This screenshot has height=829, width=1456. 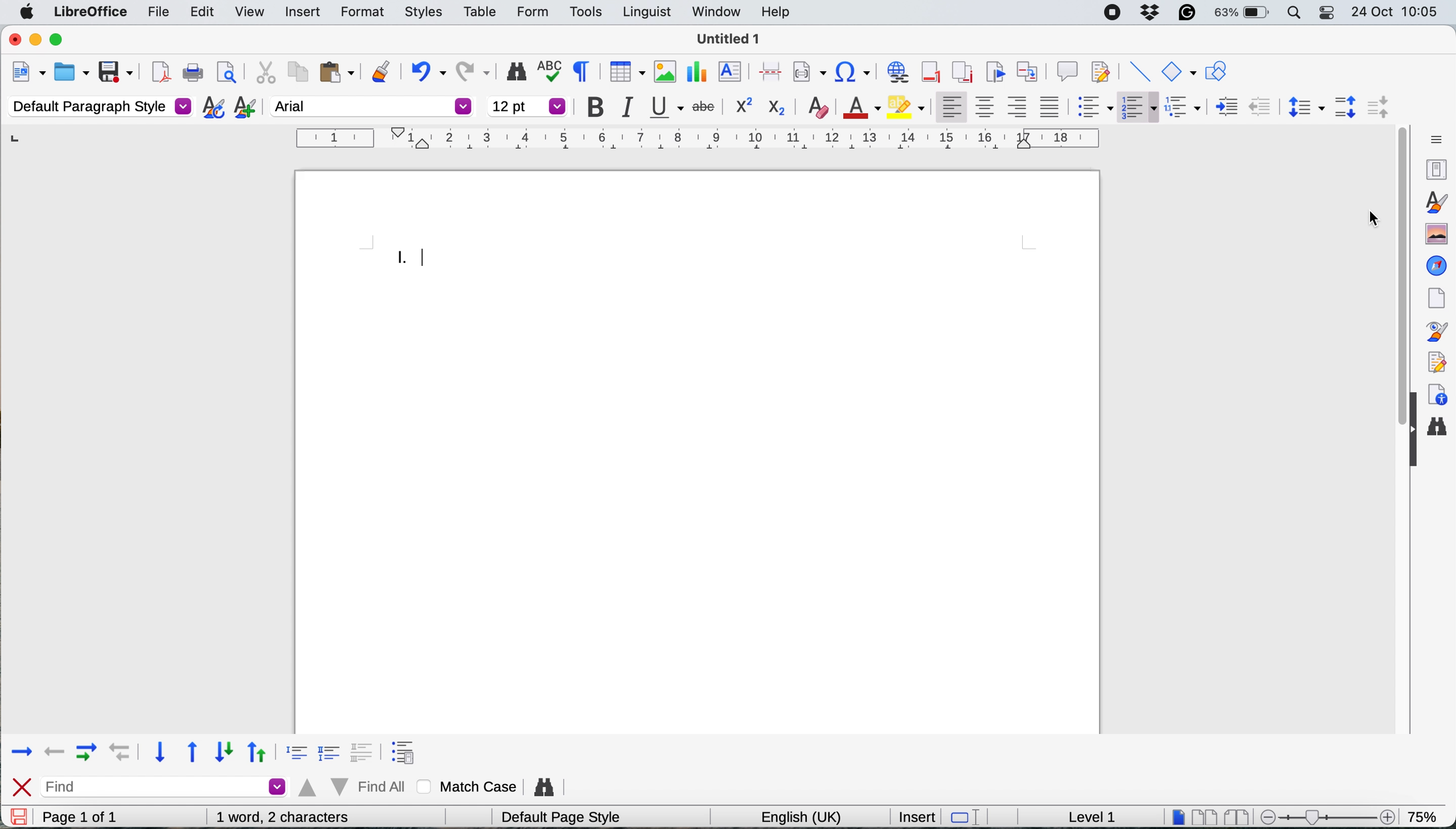 What do you see at coordinates (72, 73) in the screenshot?
I see `open` at bounding box center [72, 73].